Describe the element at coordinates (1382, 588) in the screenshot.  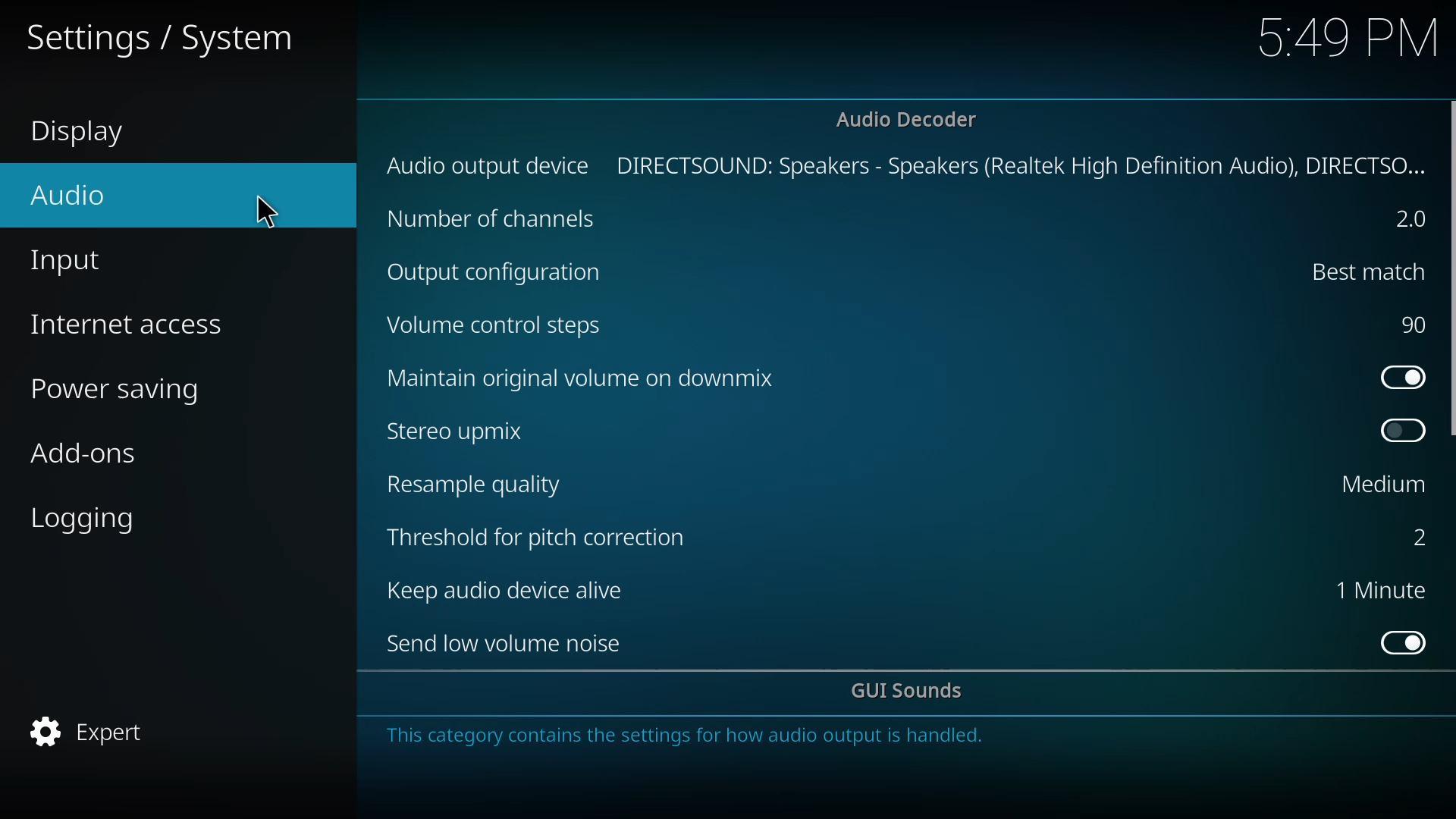
I see `1` at that location.